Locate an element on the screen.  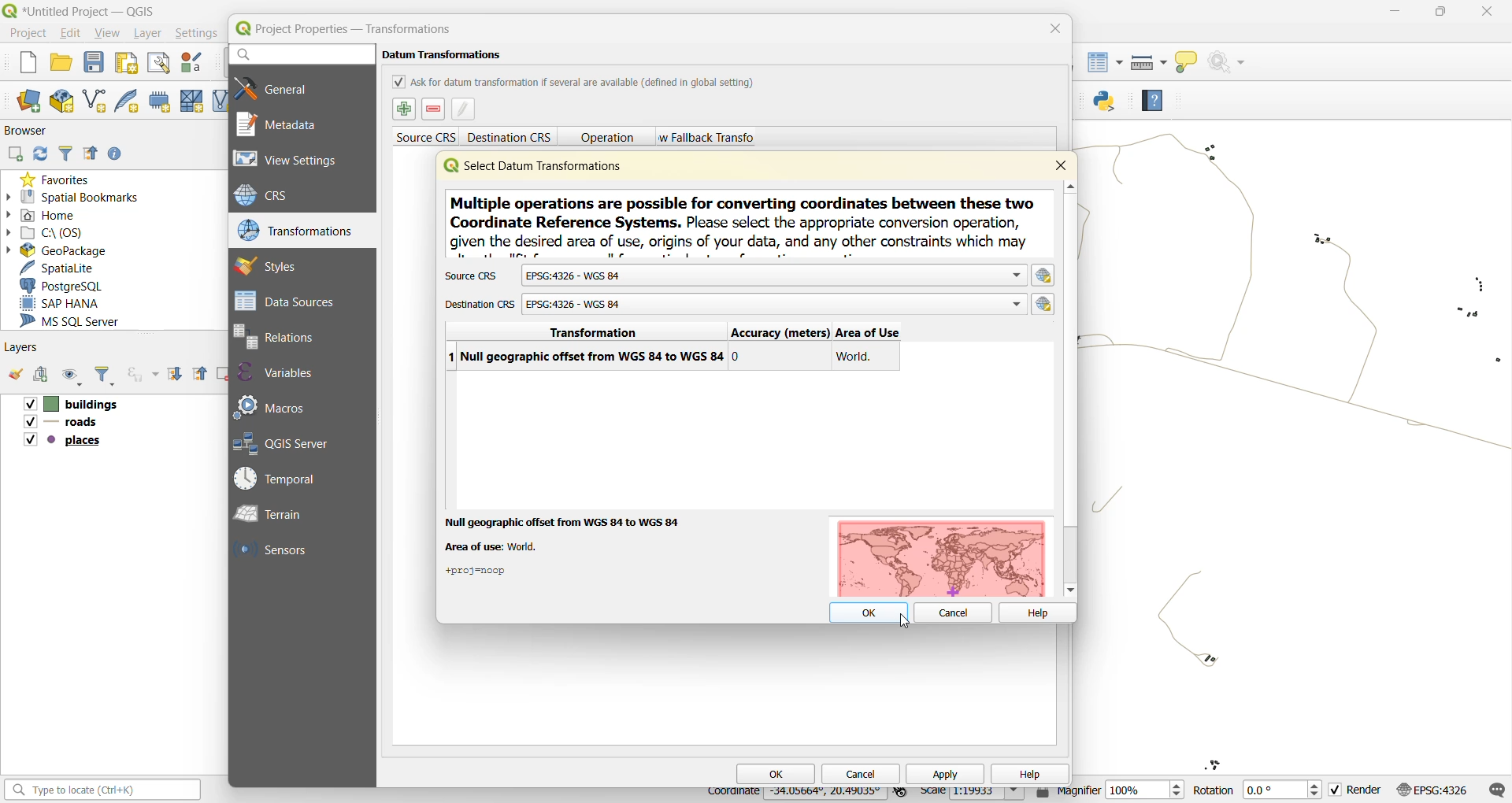
index number is located at coordinates (451, 358).